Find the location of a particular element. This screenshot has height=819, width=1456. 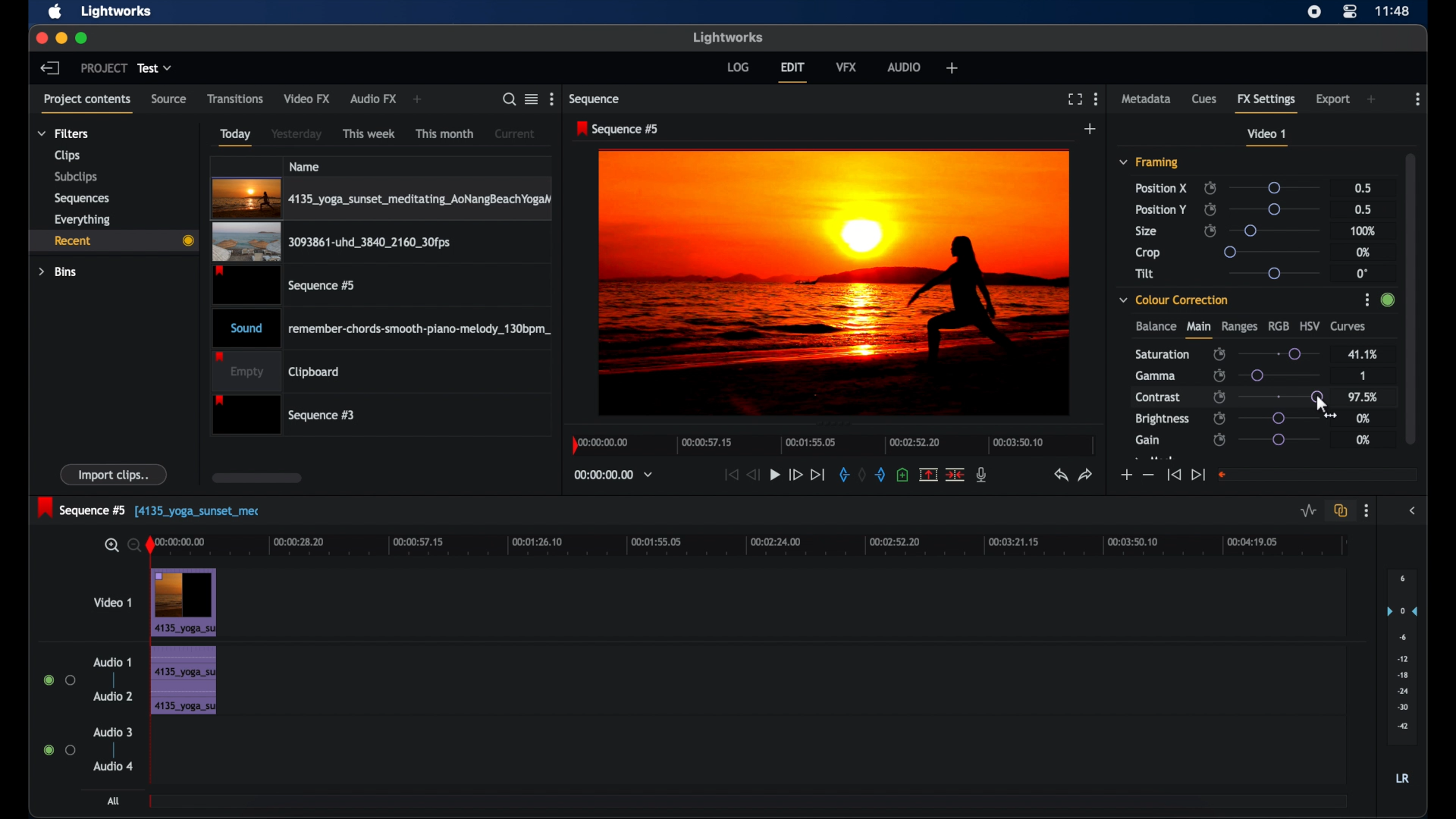

audio 2 is located at coordinates (112, 696).